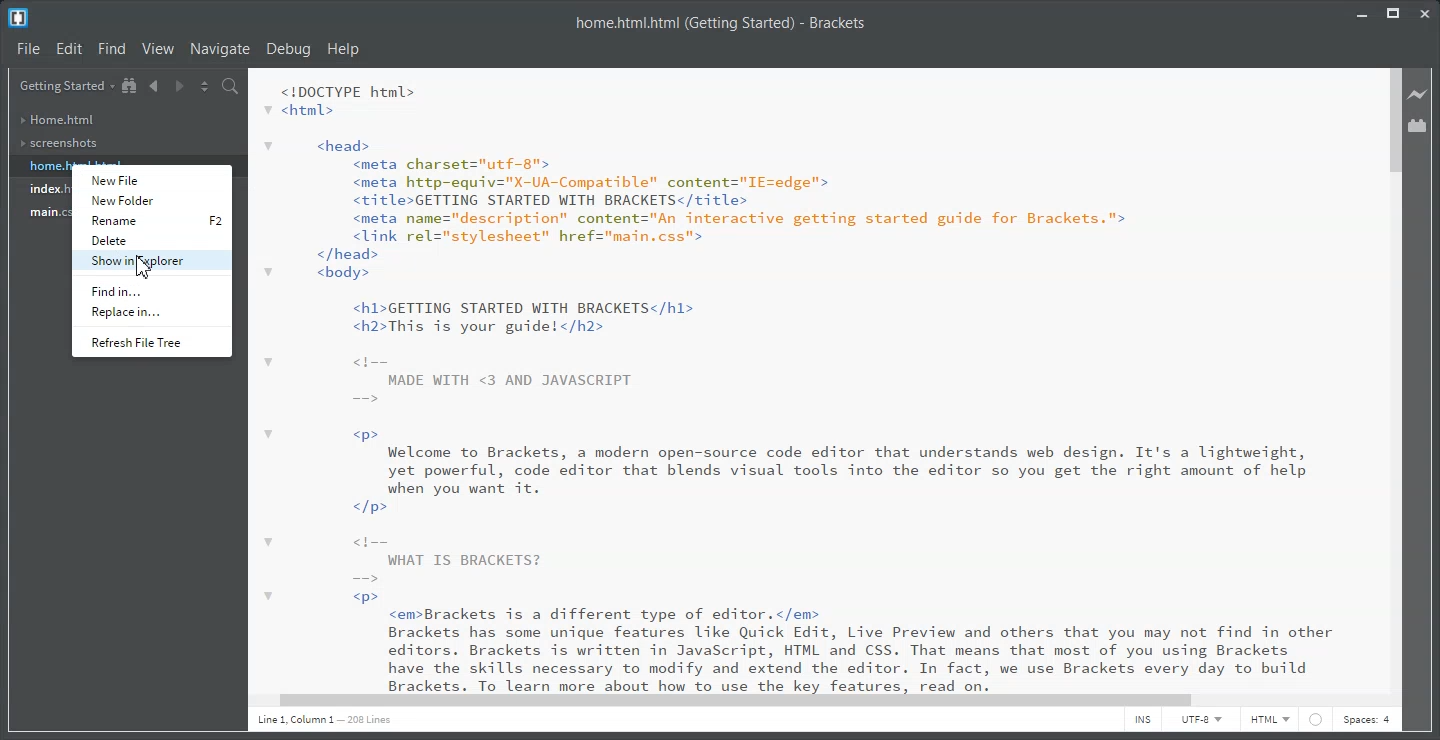 The width and height of the screenshot is (1440, 740). What do you see at coordinates (151, 342) in the screenshot?
I see `Refresh File Tree` at bounding box center [151, 342].